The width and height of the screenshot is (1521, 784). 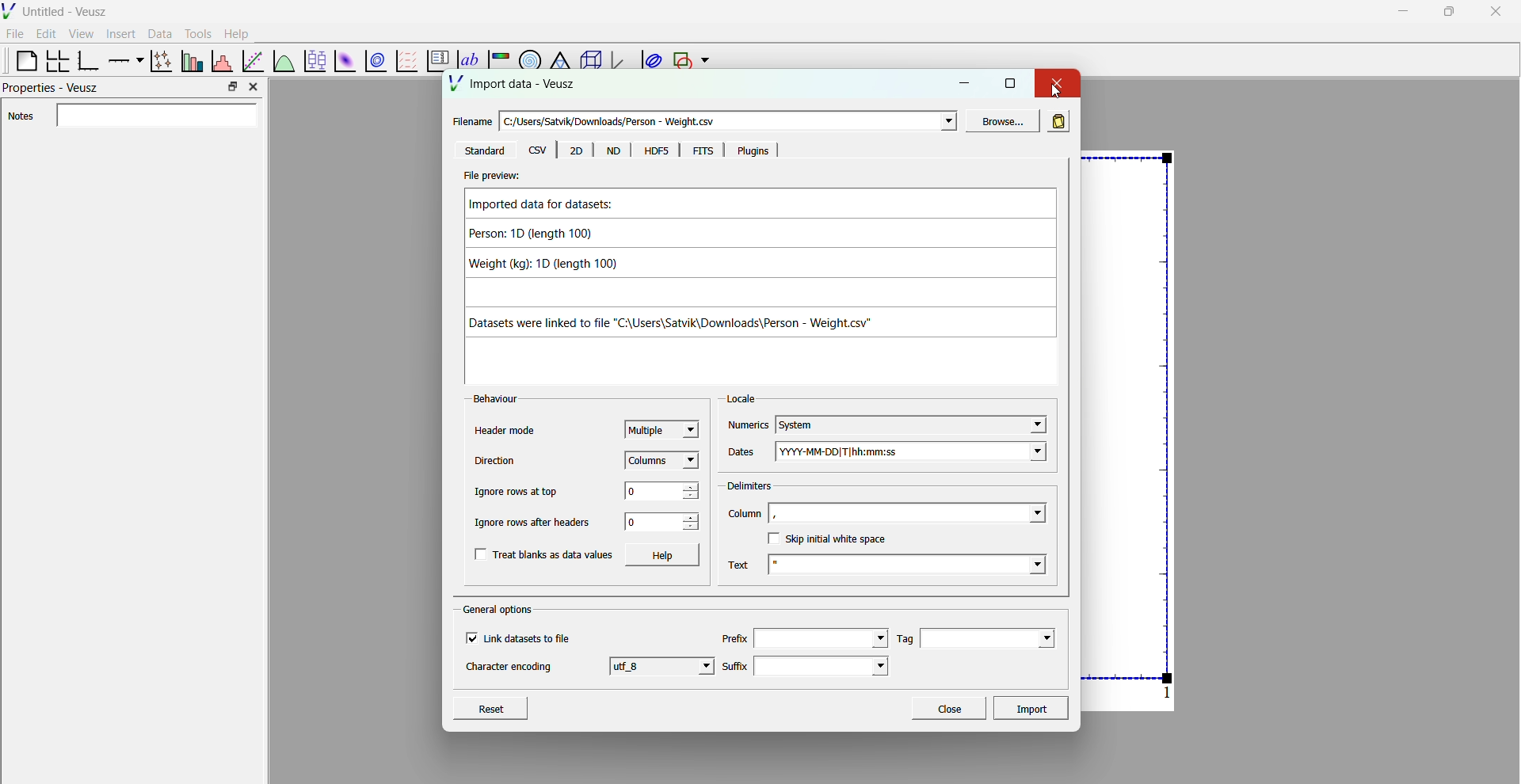 I want to click on ND., so click(x=612, y=151).